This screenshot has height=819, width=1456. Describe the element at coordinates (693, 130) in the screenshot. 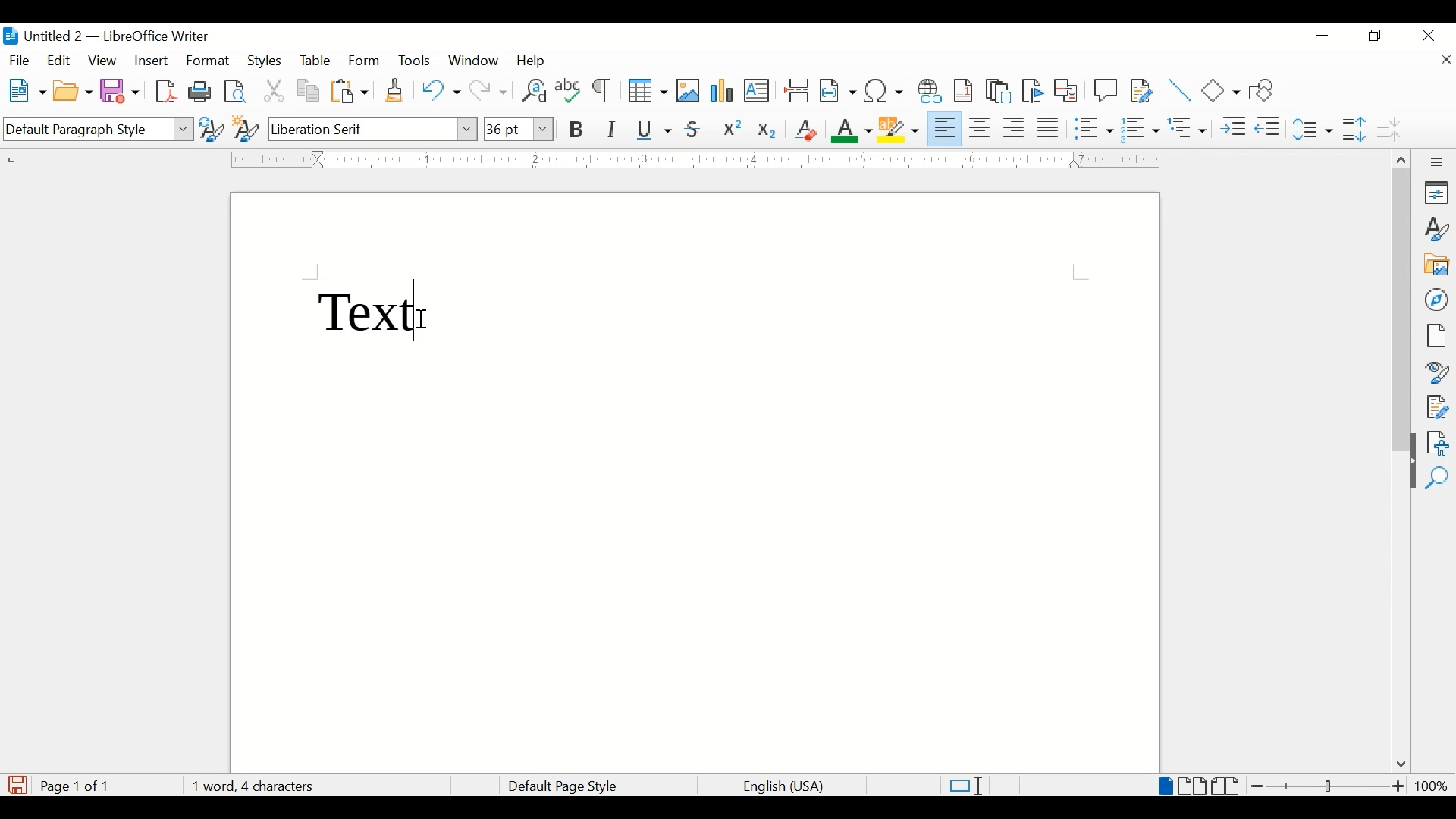

I see `strikethrough` at that location.